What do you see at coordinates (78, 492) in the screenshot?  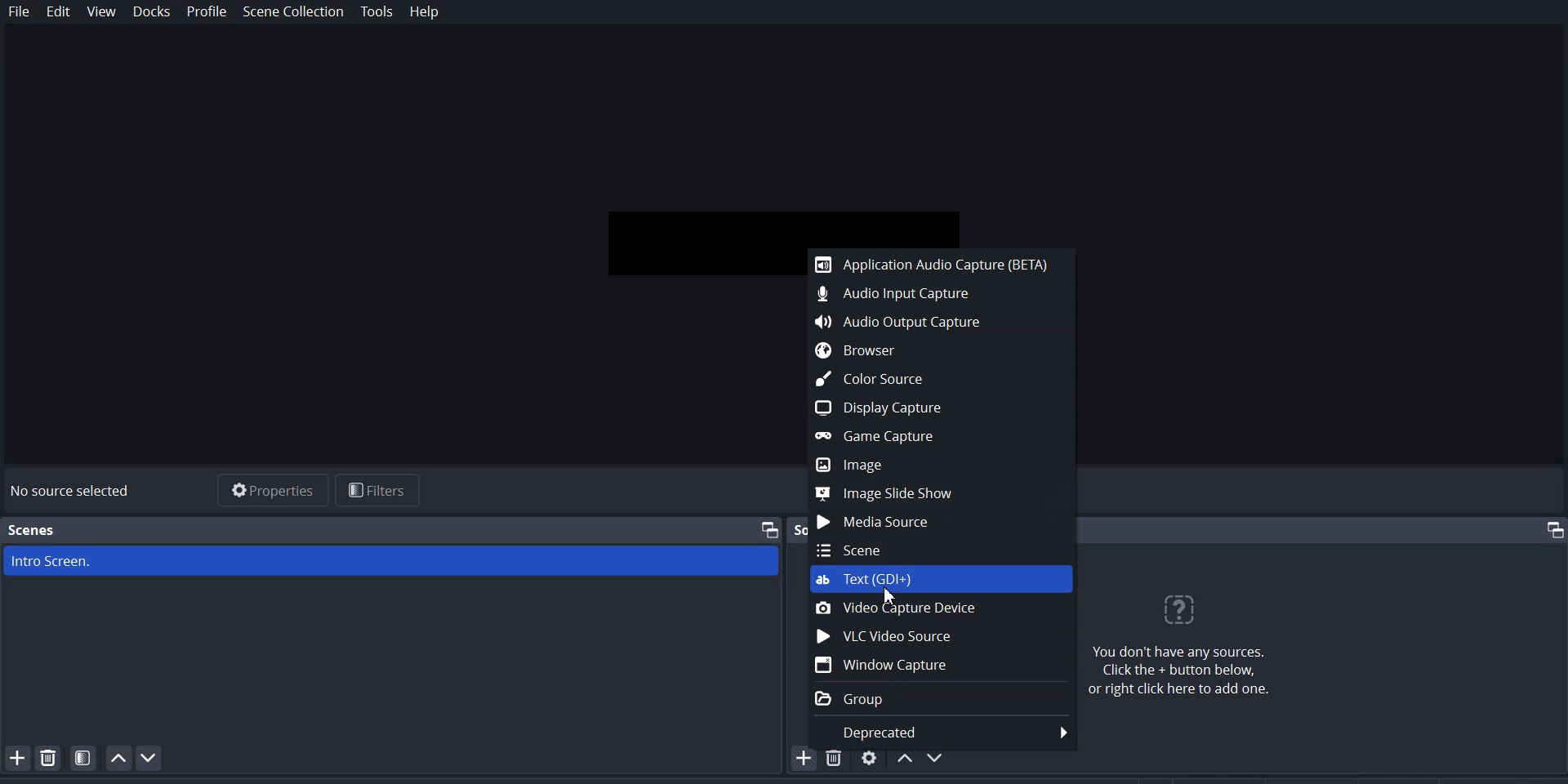 I see `No source selected` at bounding box center [78, 492].